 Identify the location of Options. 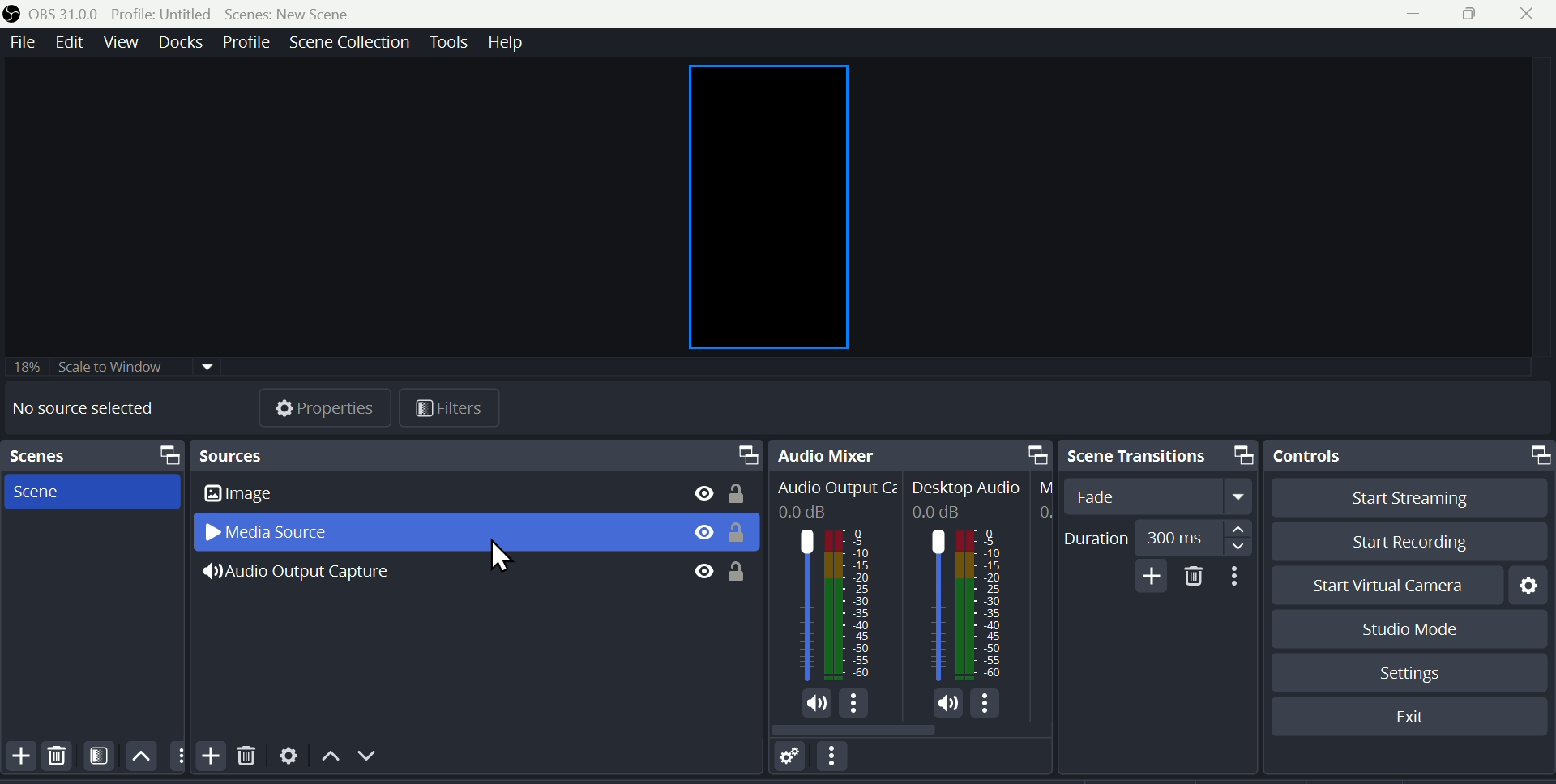
(854, 703).